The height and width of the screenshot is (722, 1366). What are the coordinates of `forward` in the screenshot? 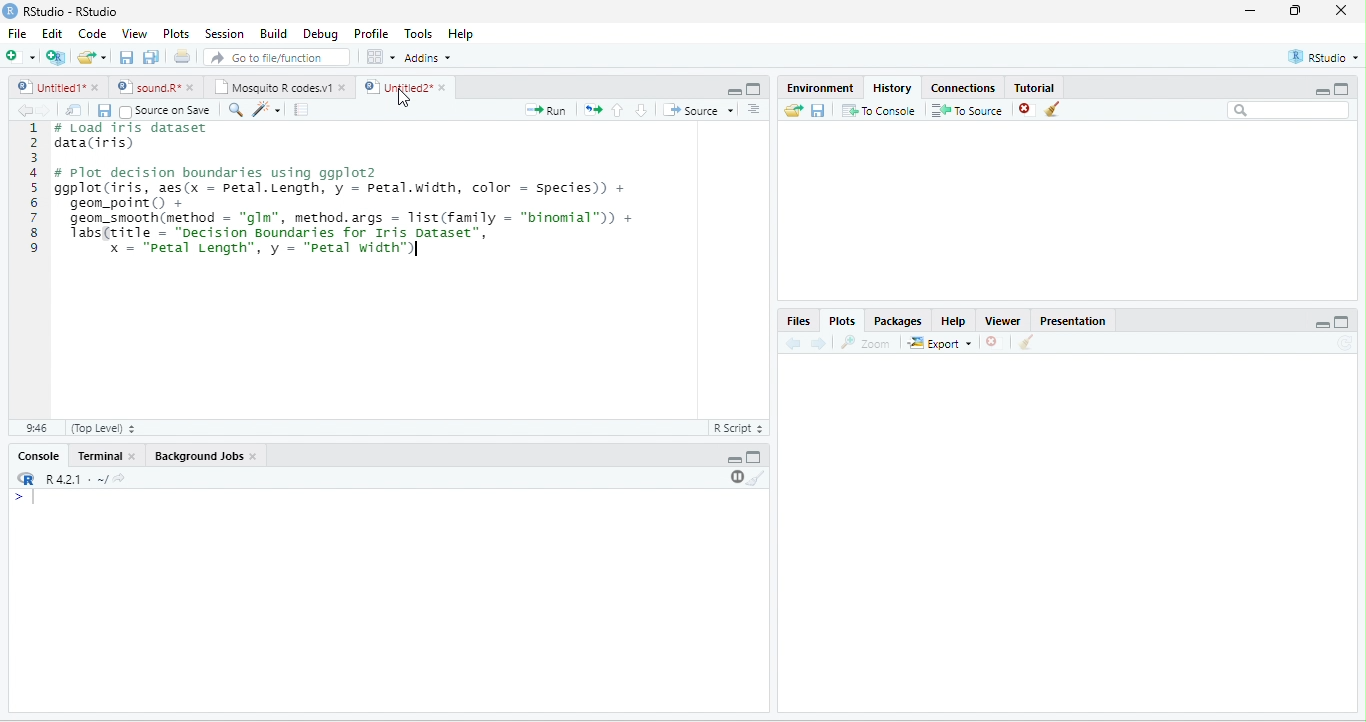 It's located at (46, 111).